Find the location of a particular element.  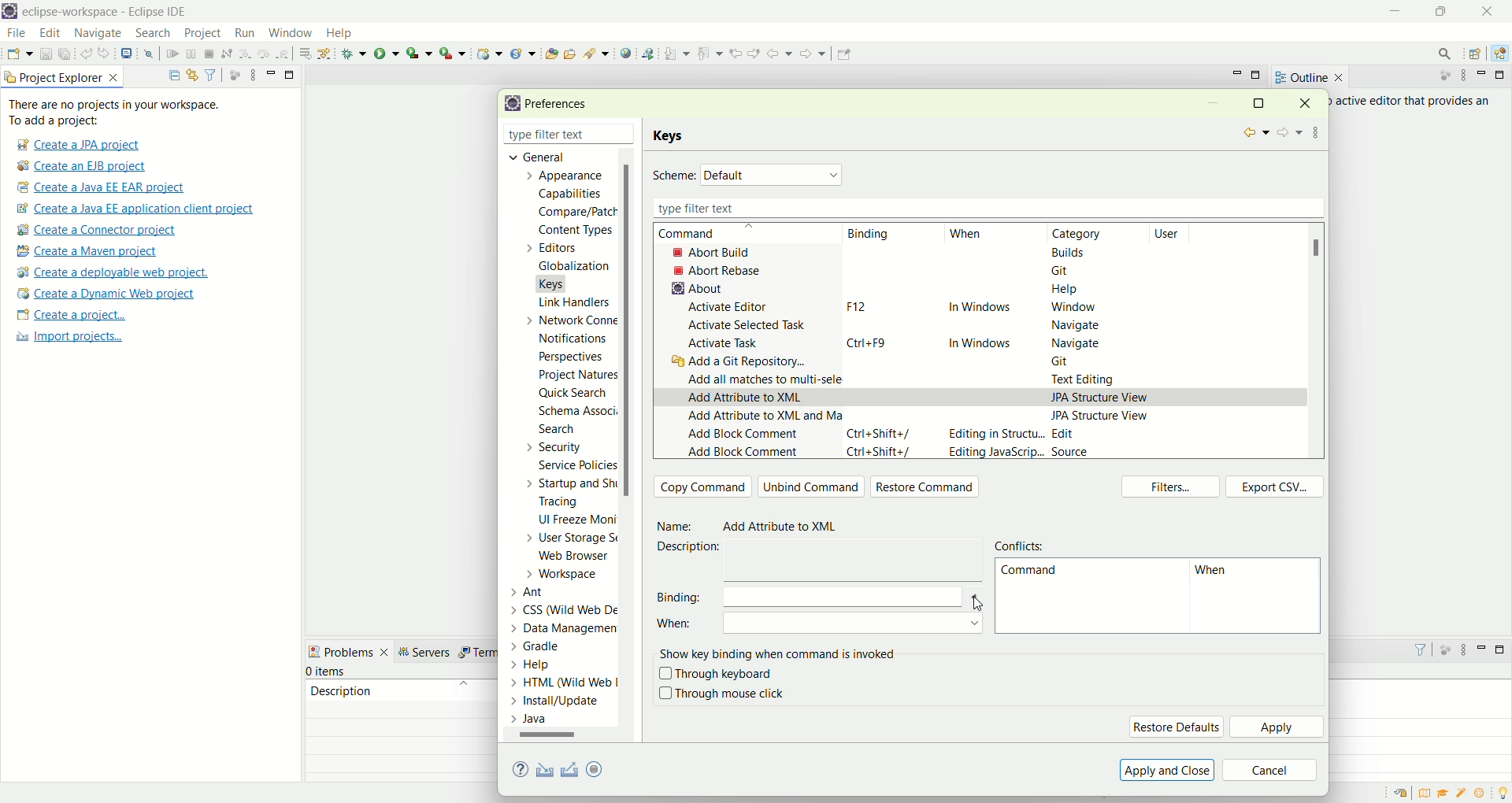

search is located at coordinates (153, 34).